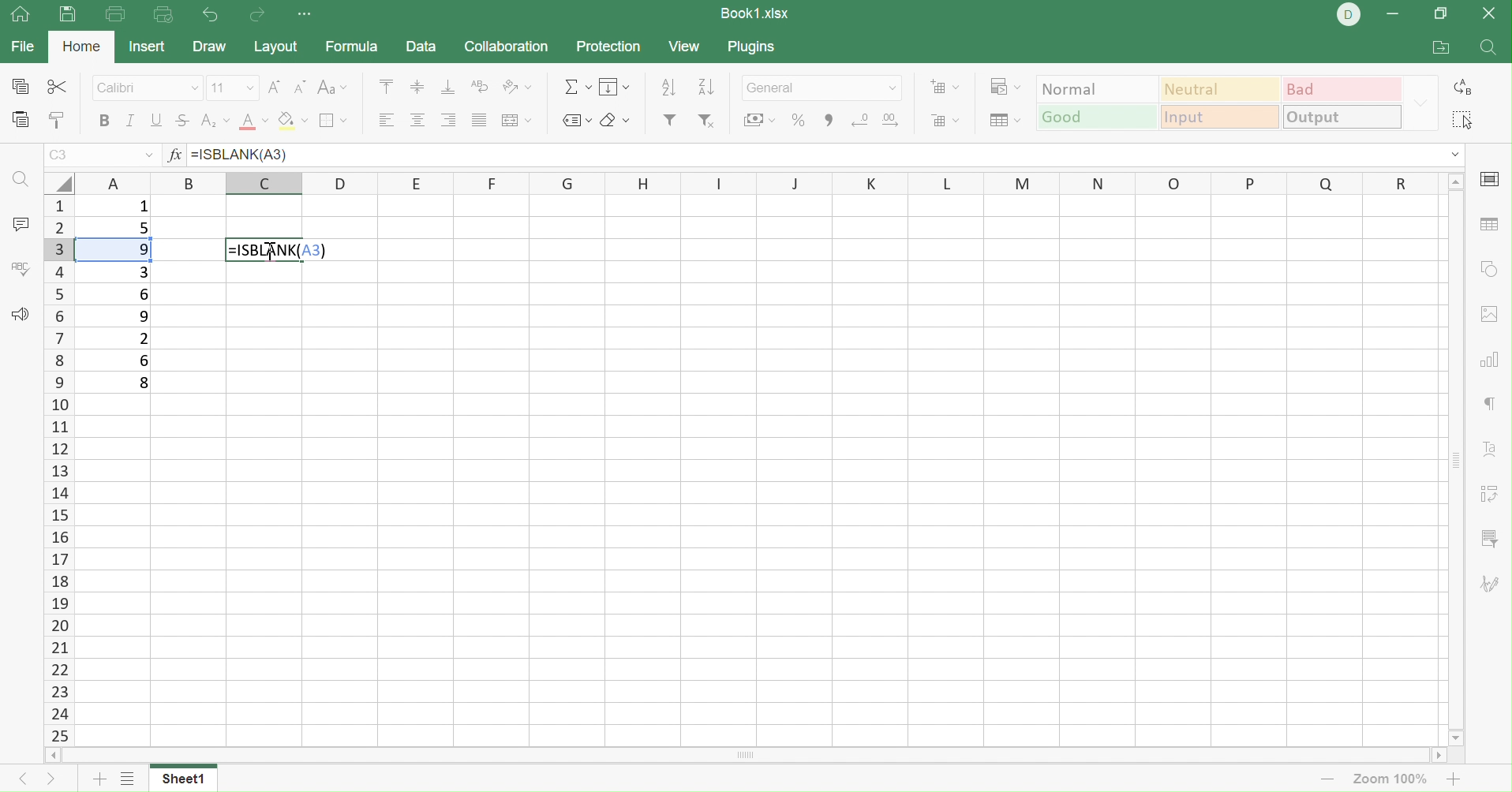 This screenshot has height=792, width=1512. I want to click on Find, so click(22, 181).